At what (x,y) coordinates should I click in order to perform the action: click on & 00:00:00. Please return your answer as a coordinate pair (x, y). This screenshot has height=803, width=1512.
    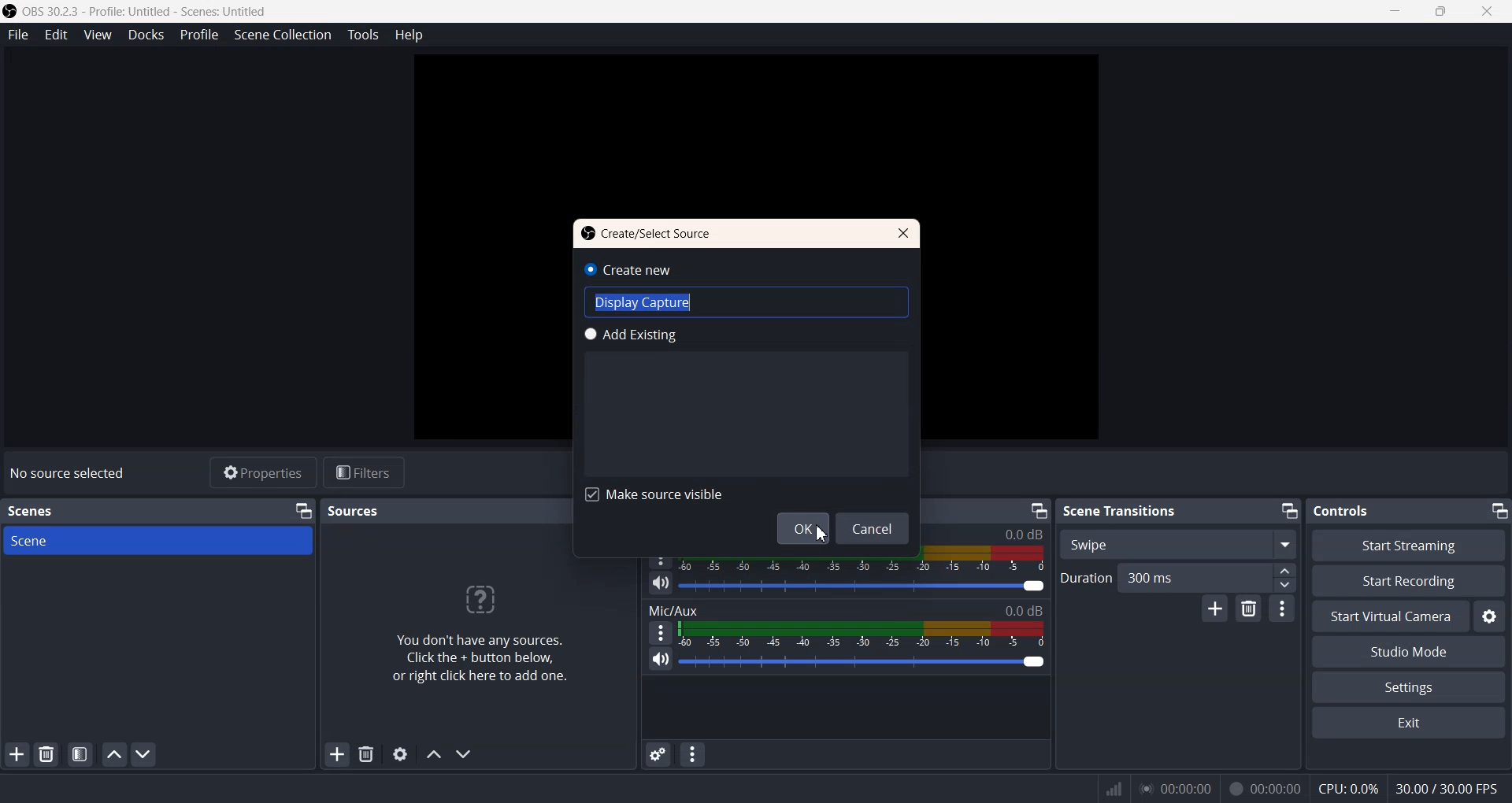
    Looking at the image, I should click on (1265, 789).